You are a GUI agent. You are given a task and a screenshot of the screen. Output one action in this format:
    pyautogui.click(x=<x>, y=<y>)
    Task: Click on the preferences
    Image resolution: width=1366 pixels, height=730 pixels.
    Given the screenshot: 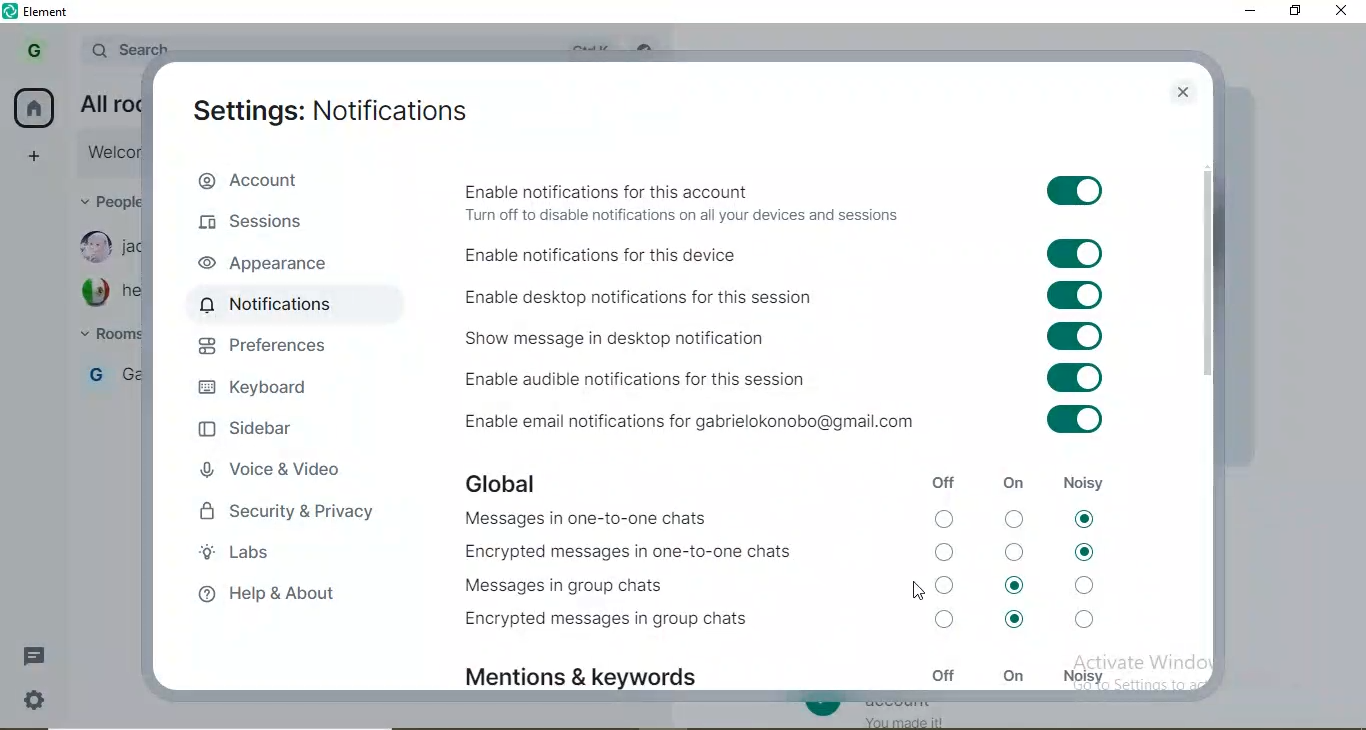 What is the action you would take?
    pyautogui.click(x=278, y=348)
    